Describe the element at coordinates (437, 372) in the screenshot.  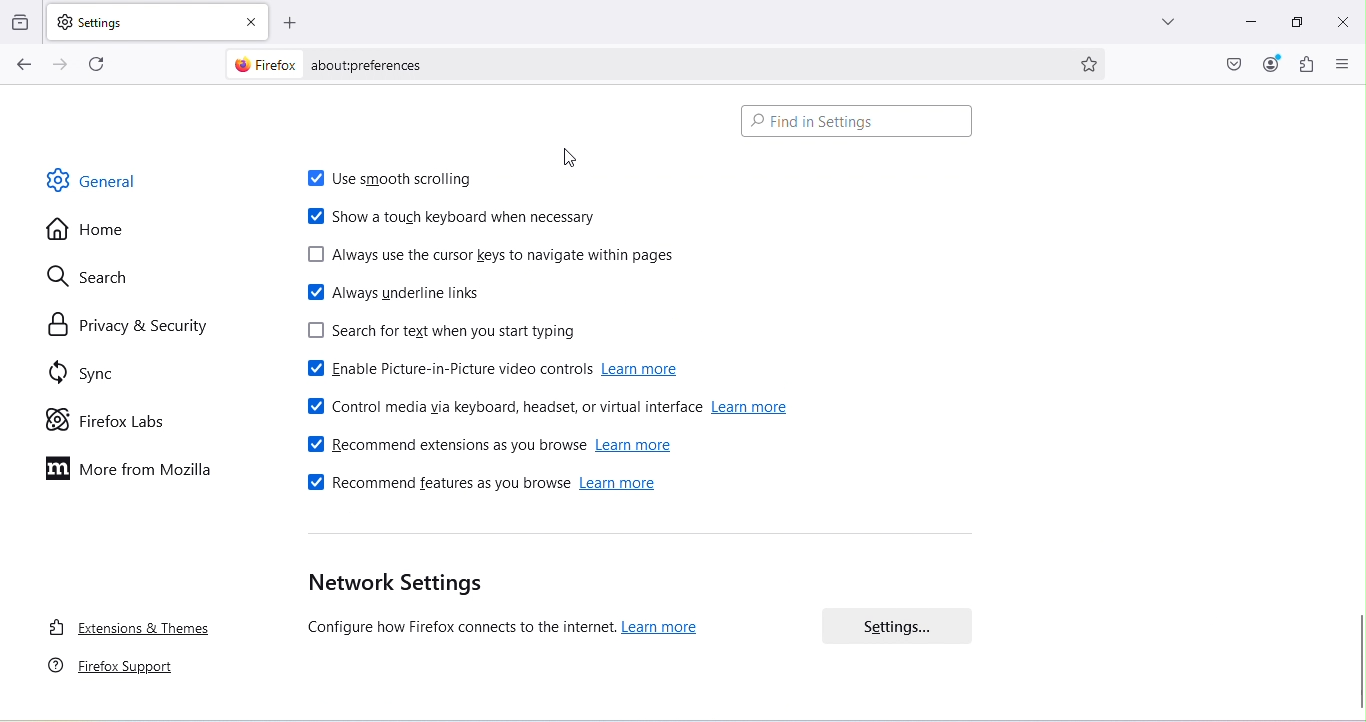
I see `Enable picture-in-picture video controls` at that location.